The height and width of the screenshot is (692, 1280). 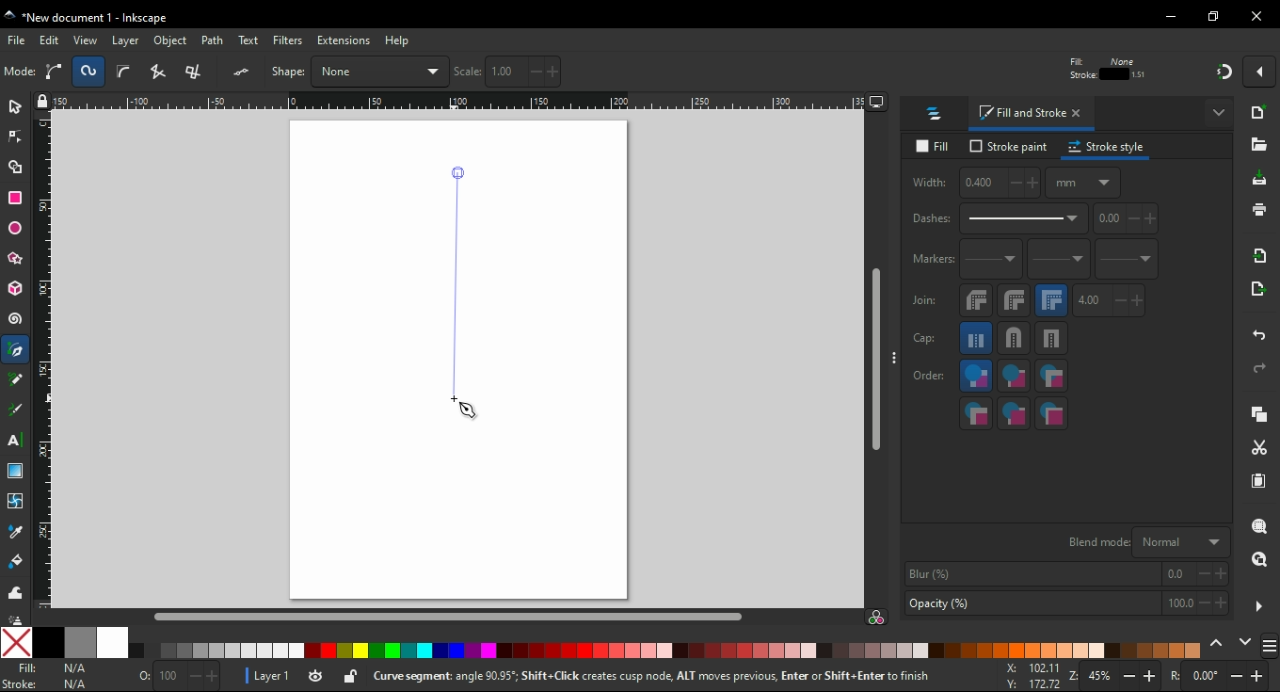 What do you see at coordinates (1259, 607) in the screenshot?
I see `more settings` at bounding box center [1259, 607].